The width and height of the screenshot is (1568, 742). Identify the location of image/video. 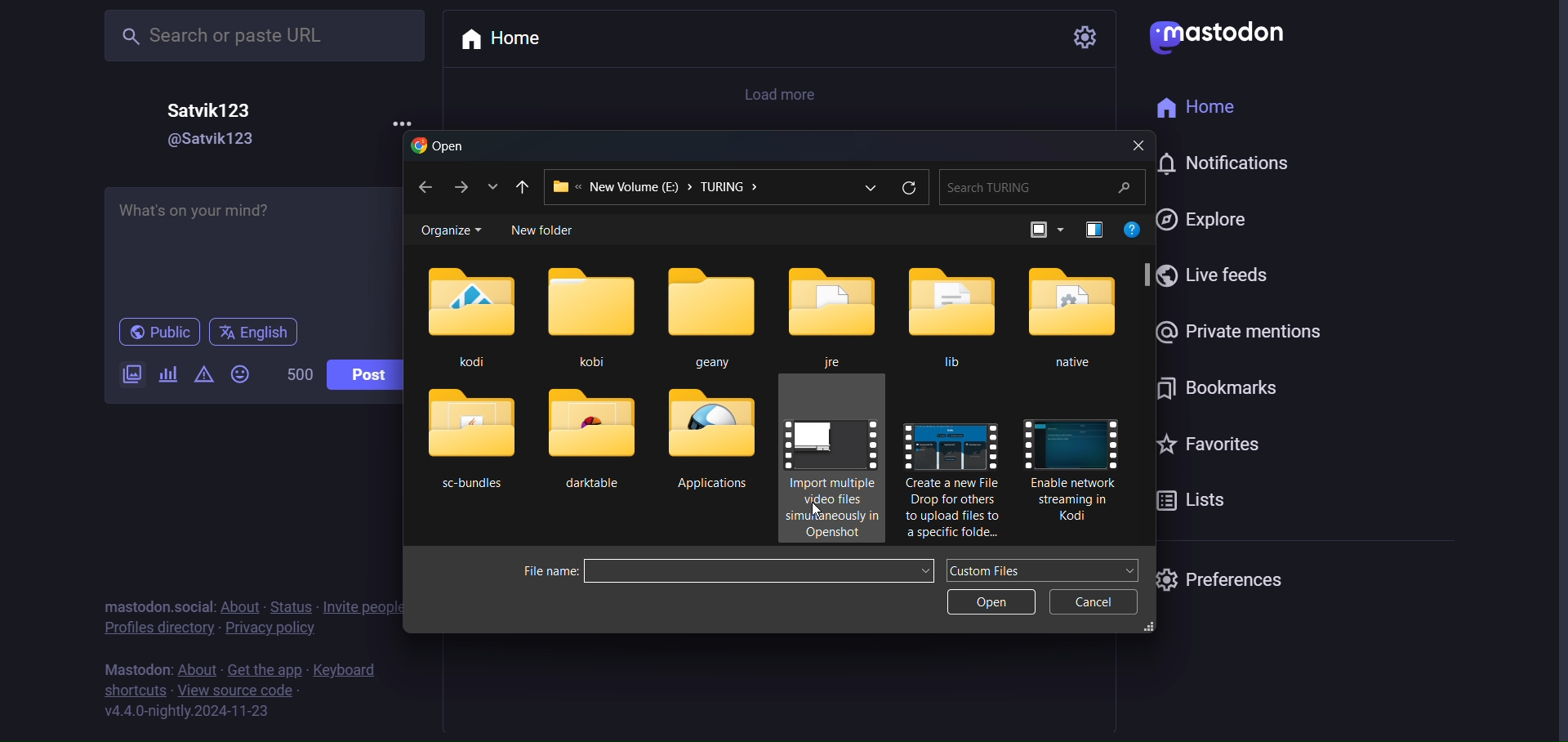
(127, 372).